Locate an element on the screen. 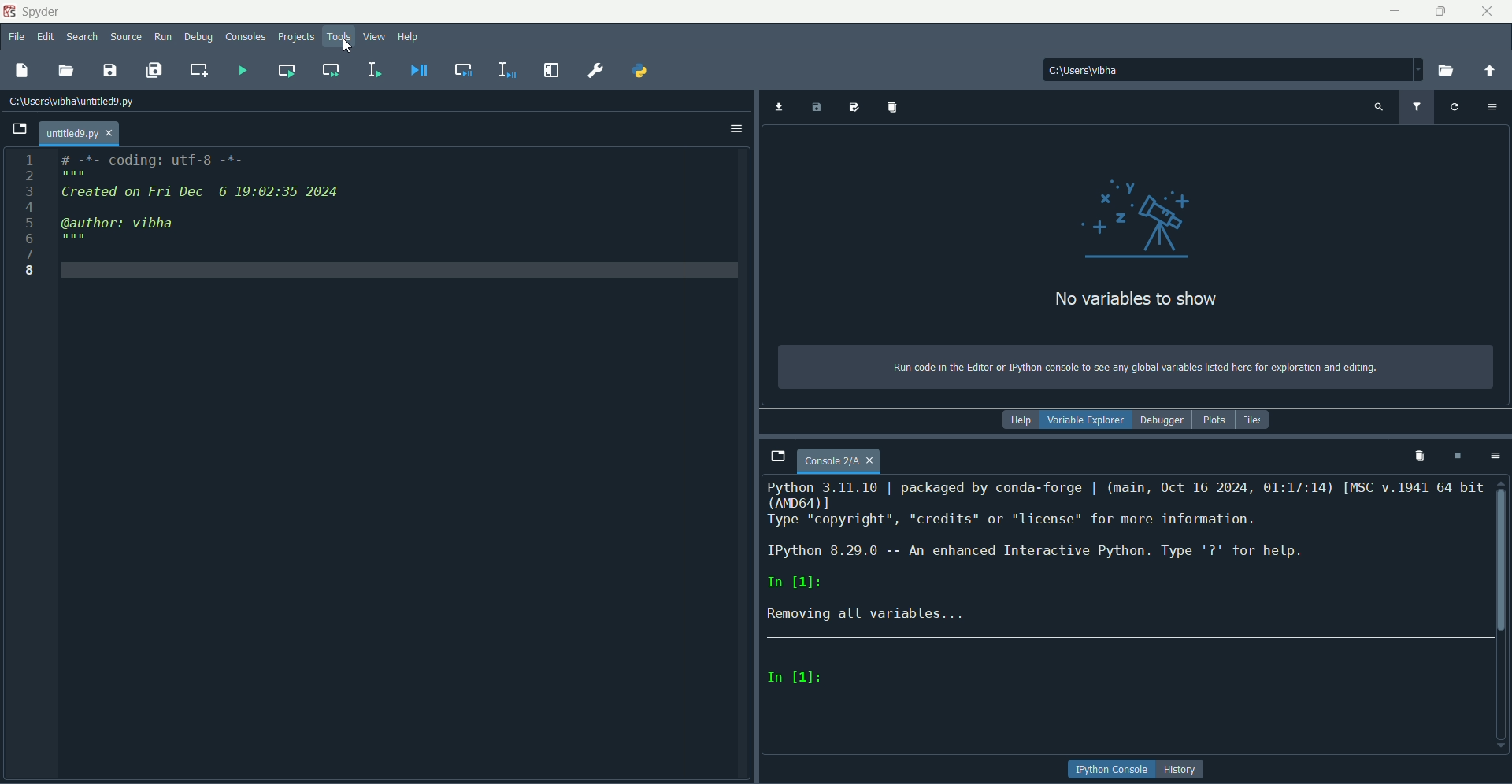 The width and height of the screenshot is (1512, 784). code is located at coordinates (202, 201).